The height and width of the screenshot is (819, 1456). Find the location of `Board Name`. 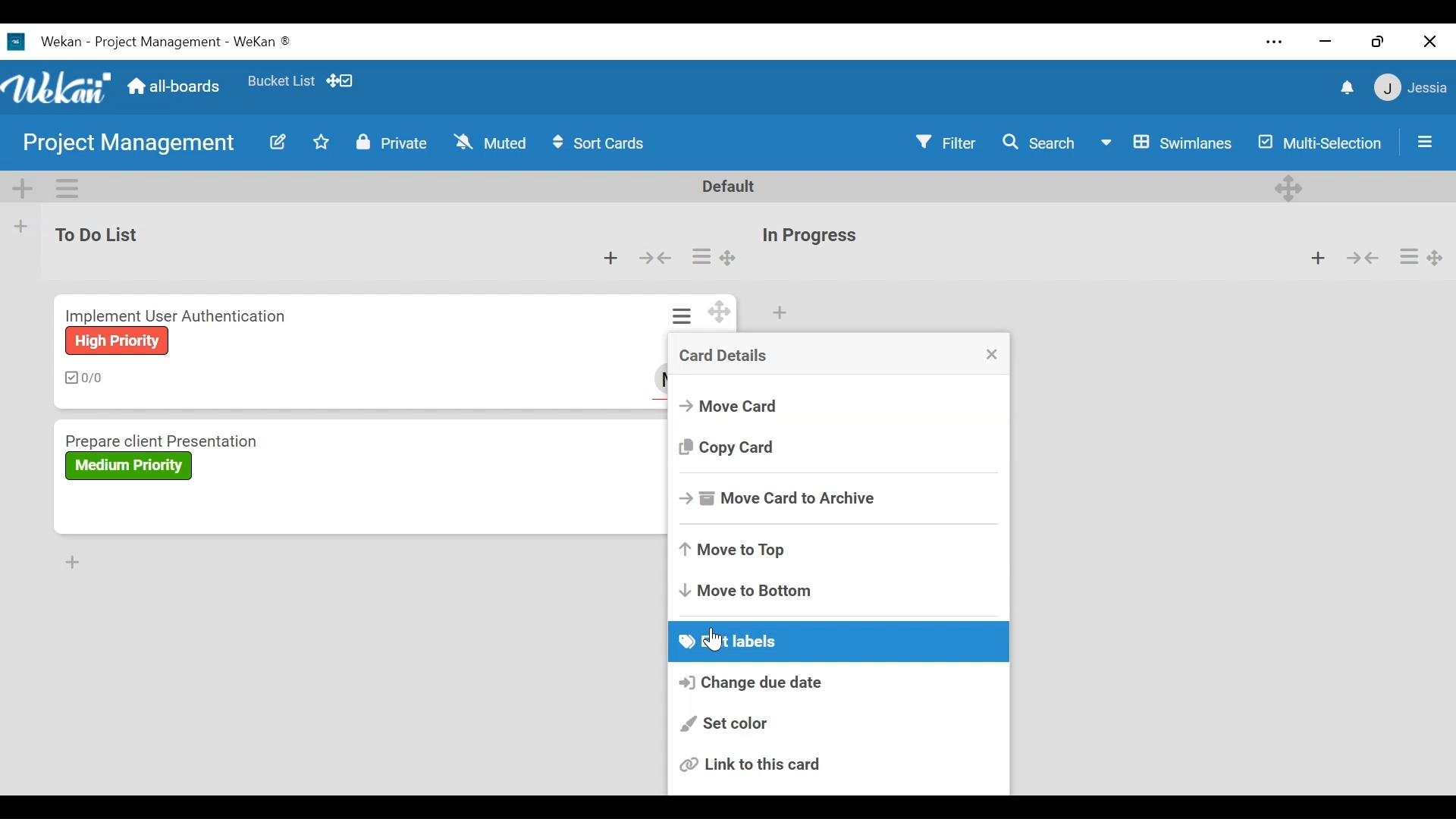

Board Name is located at coordinates (130, 145).